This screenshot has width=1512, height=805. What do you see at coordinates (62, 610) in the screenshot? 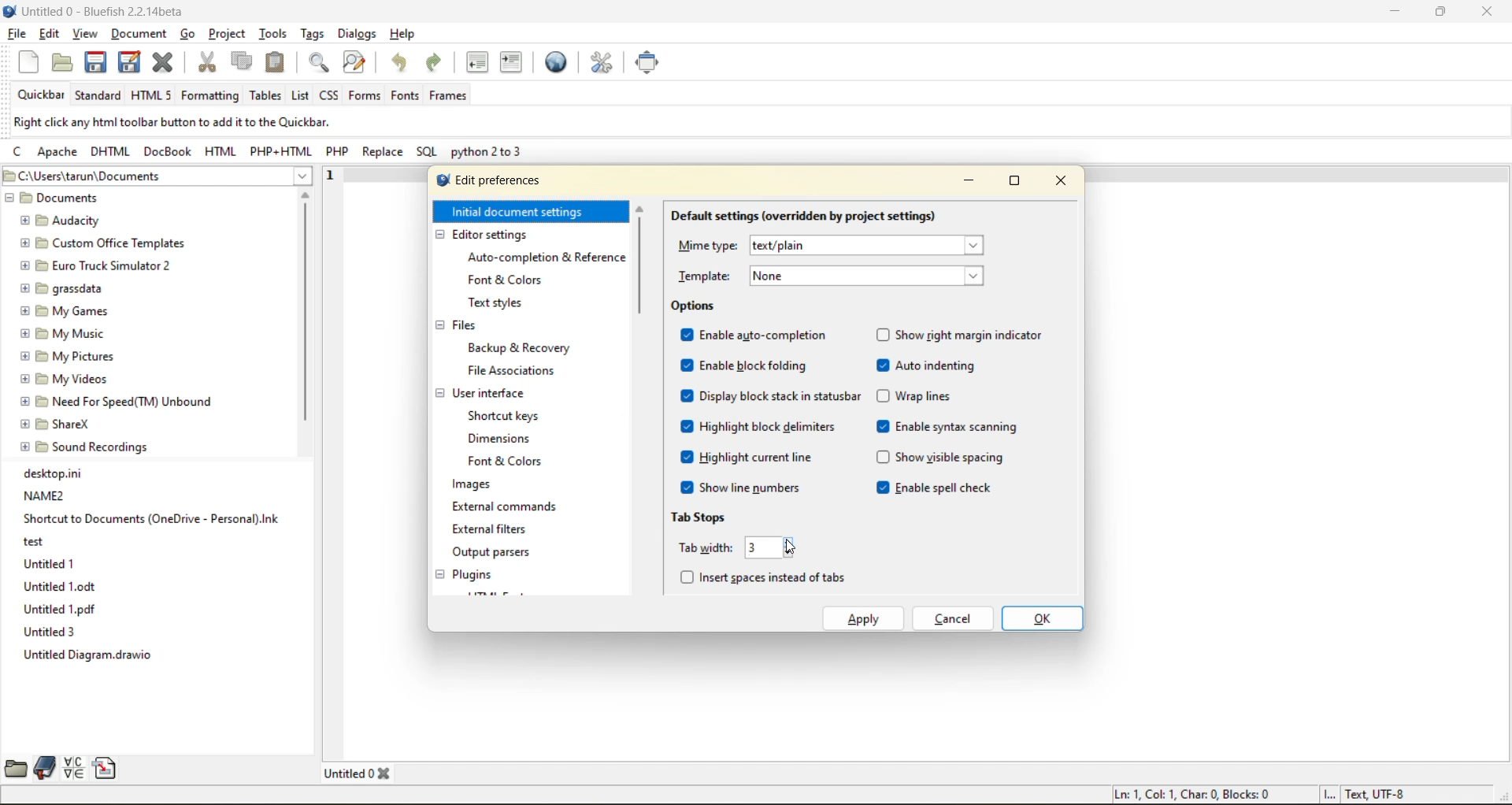
I see `Untitled 1.pdf` at bounding box center [62, 610].